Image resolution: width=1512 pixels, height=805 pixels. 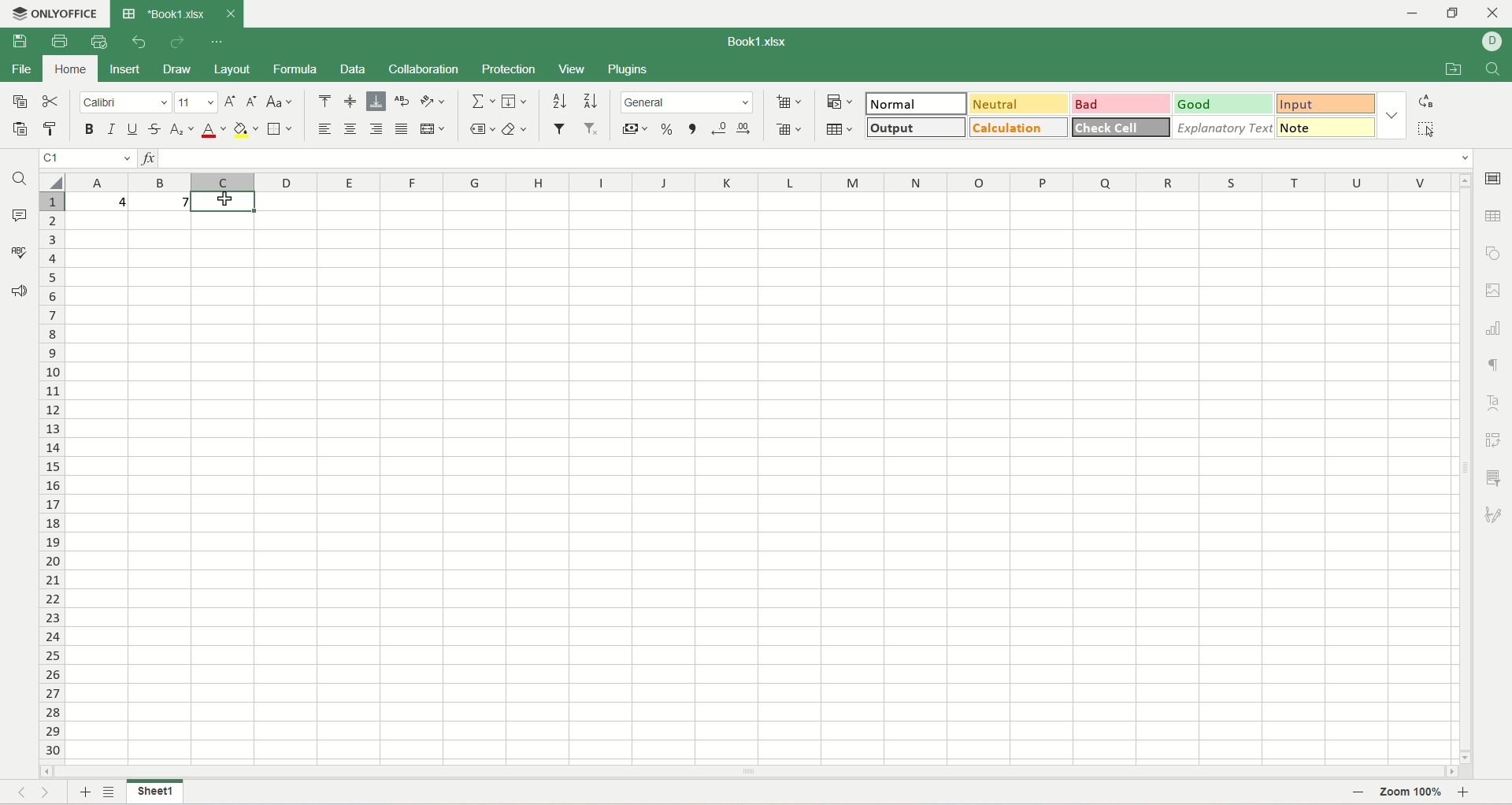 What do you see at coordinates (176, 70) in the screenshot?
I see `draw` at bounding box center [176, 70].